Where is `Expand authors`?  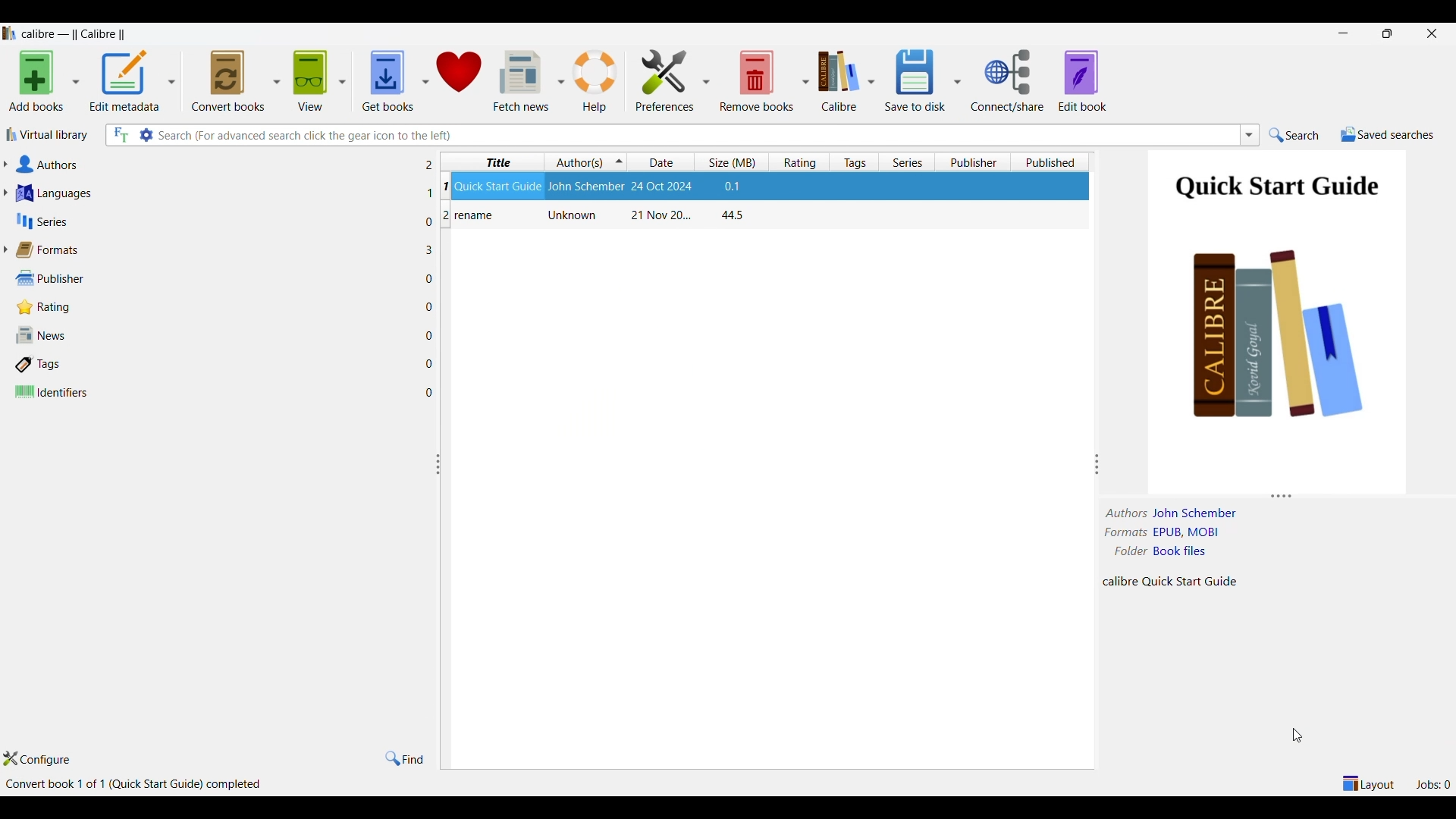
Expand authors is located at coordinates (5, 164).